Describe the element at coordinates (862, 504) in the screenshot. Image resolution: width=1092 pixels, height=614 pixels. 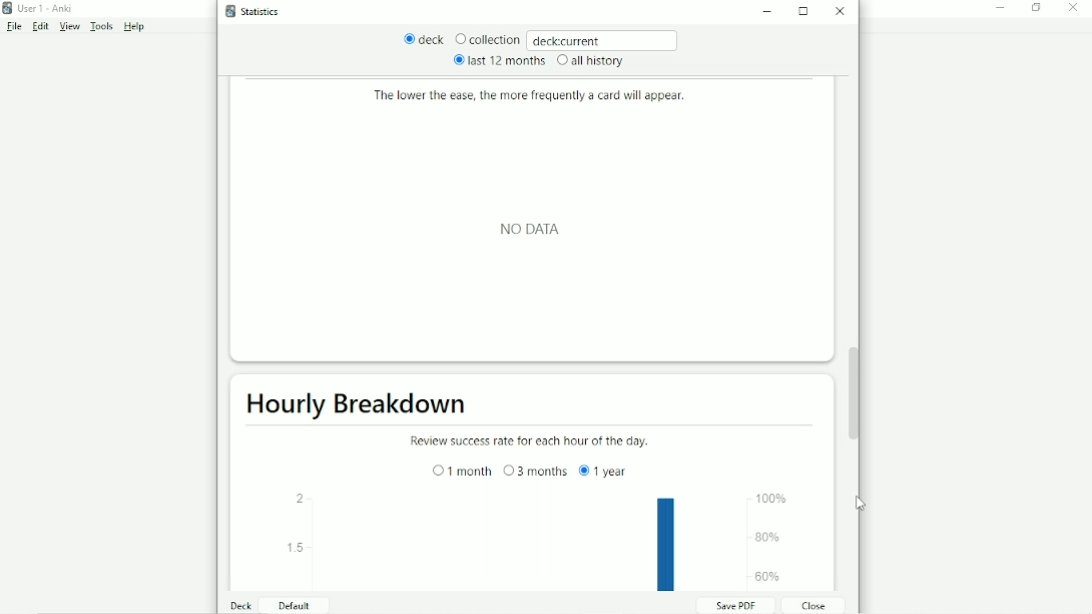
I see `Cursor` at that location.